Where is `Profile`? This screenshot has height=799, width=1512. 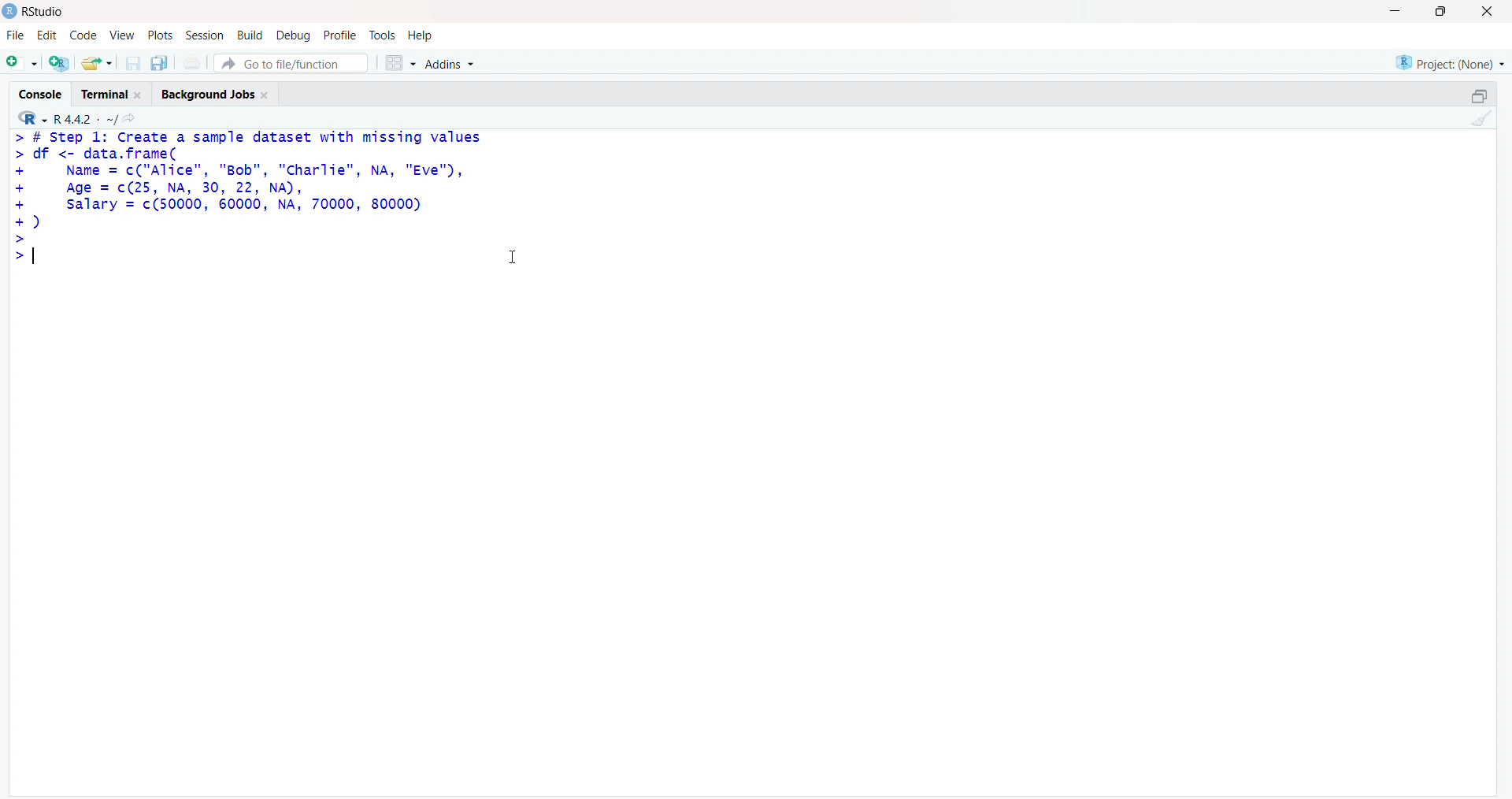
Profile is located at coordinates (341, 34).